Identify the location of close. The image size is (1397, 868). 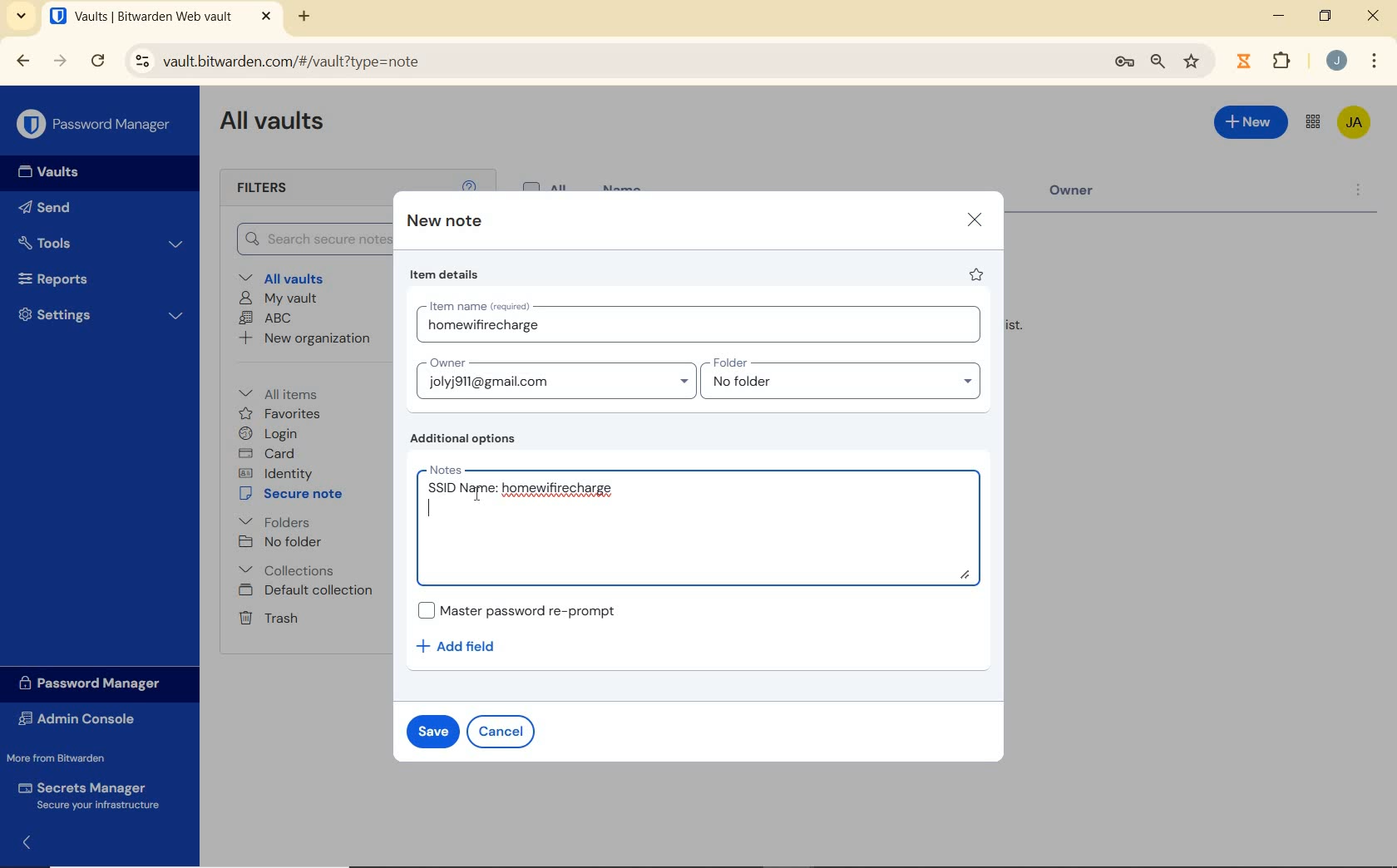
(974, 220).